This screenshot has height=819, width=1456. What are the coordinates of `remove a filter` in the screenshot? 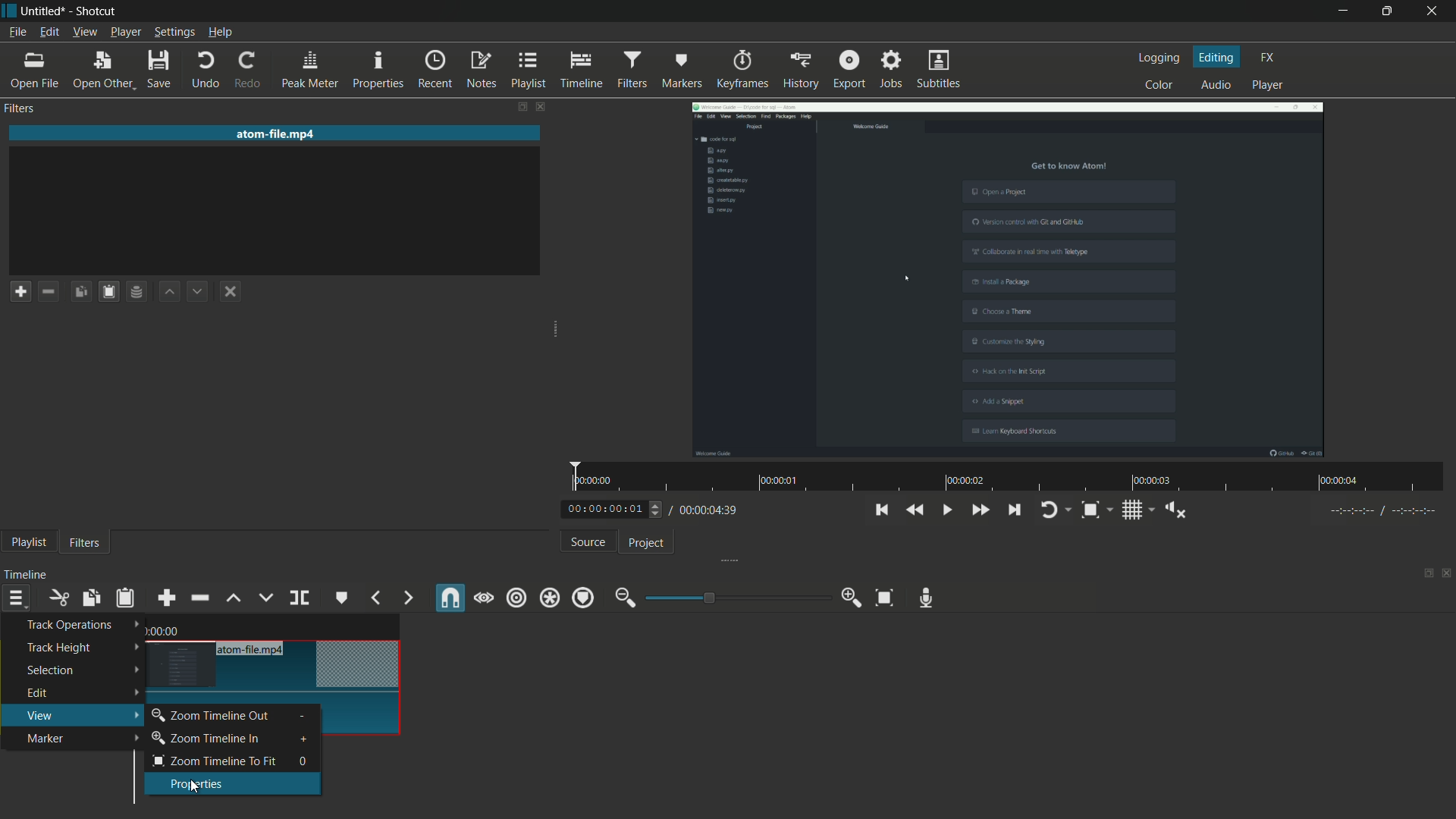 It's located at (49, 291).